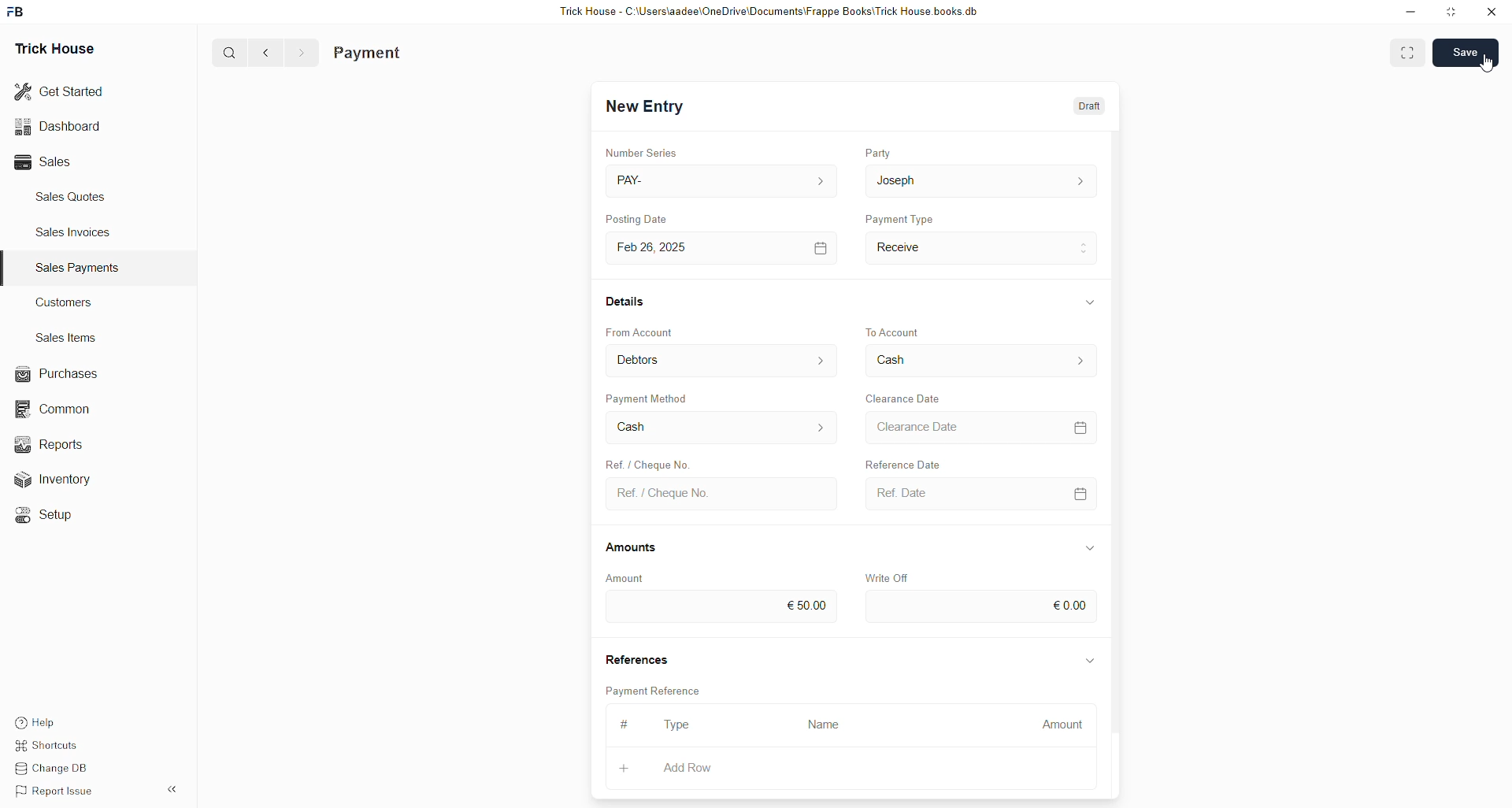 This screenshot has width=1512, height=808. I want to click on New Entry, so click(645, 106).